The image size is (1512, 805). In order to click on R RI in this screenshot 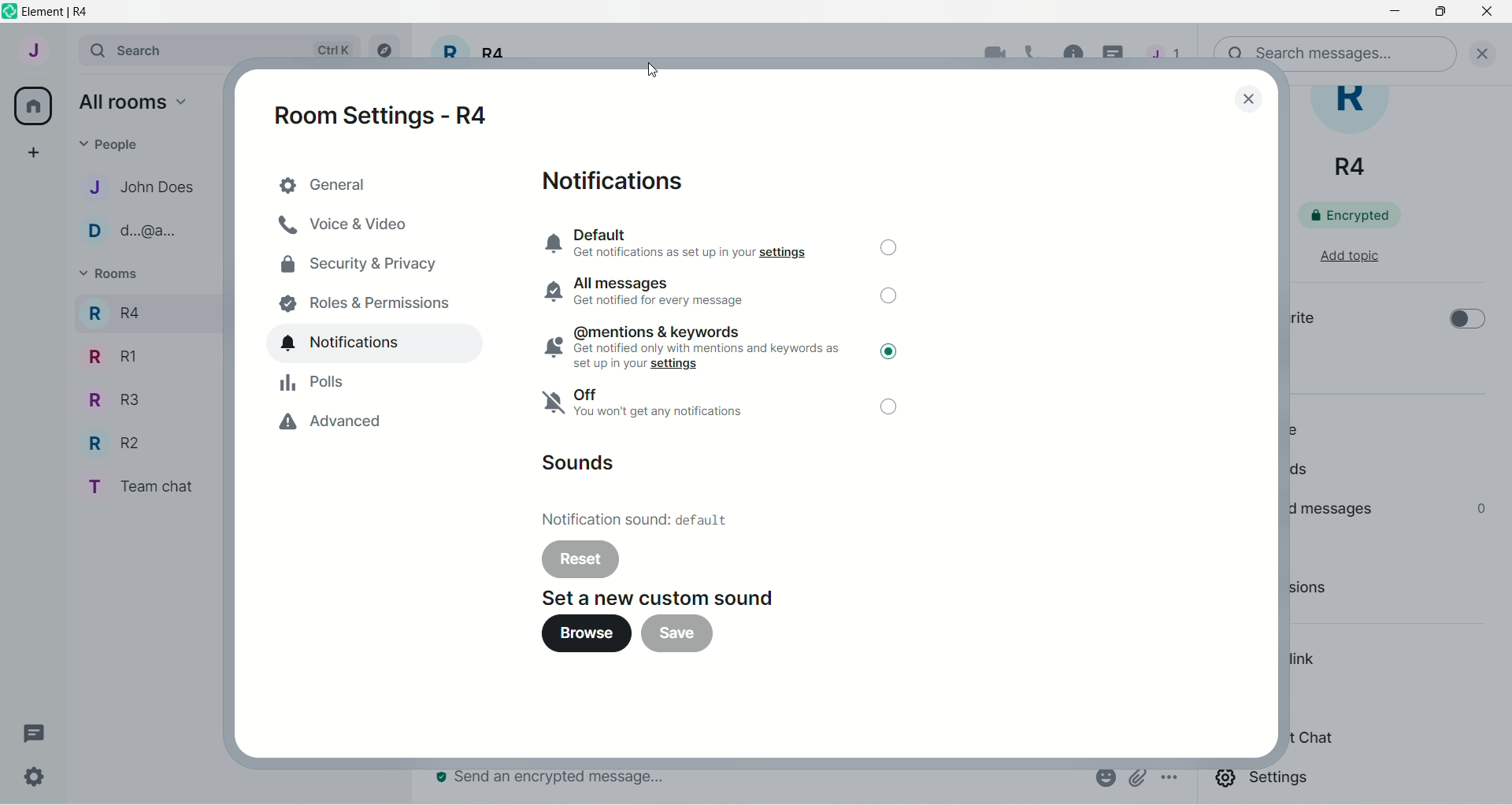, I will do `click(113, 356)`.